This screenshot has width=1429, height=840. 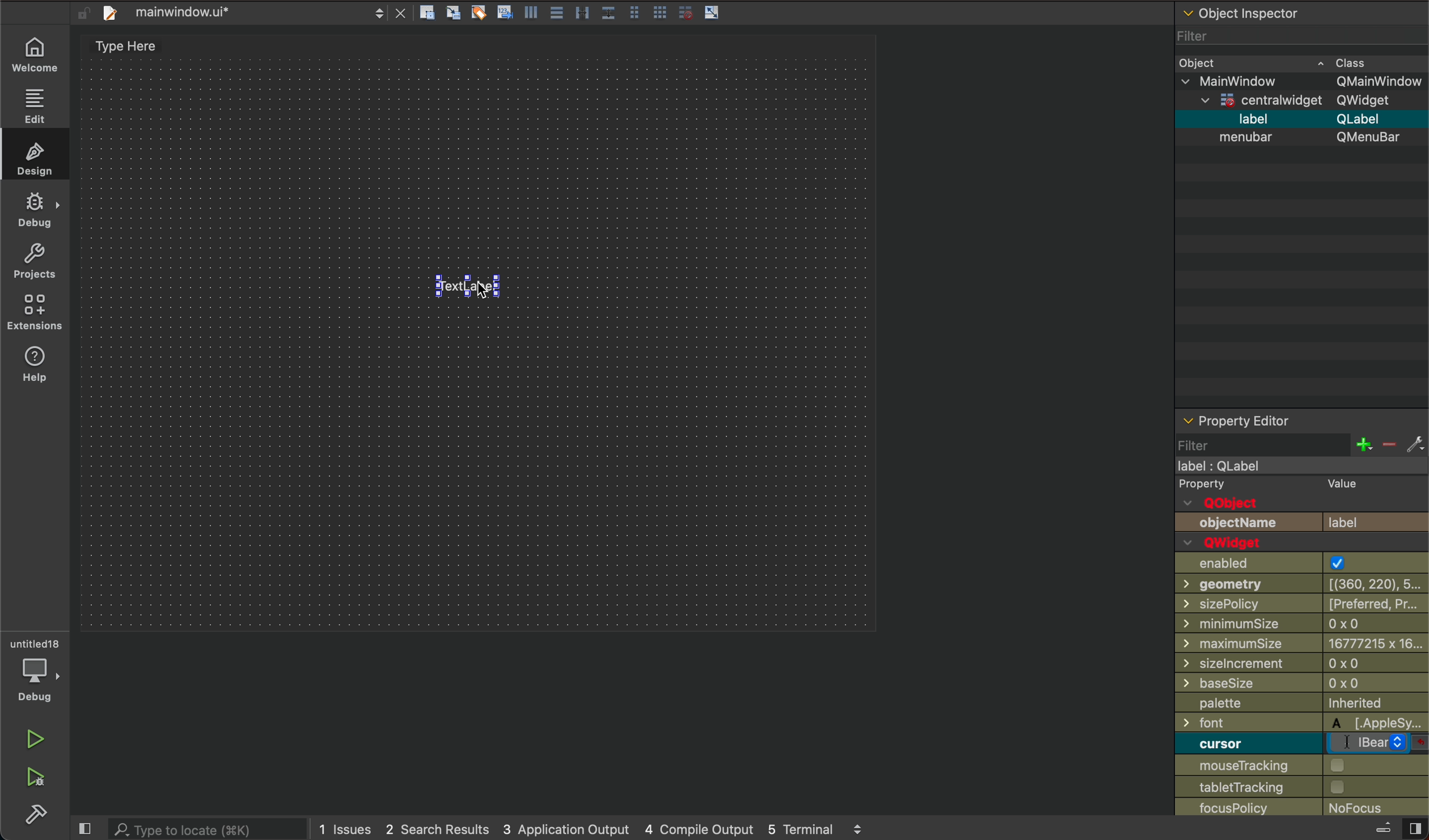 What do you see at coordinates (37, 775) in the screenshot?
I see `run debug` at bounding box center [37, 775].